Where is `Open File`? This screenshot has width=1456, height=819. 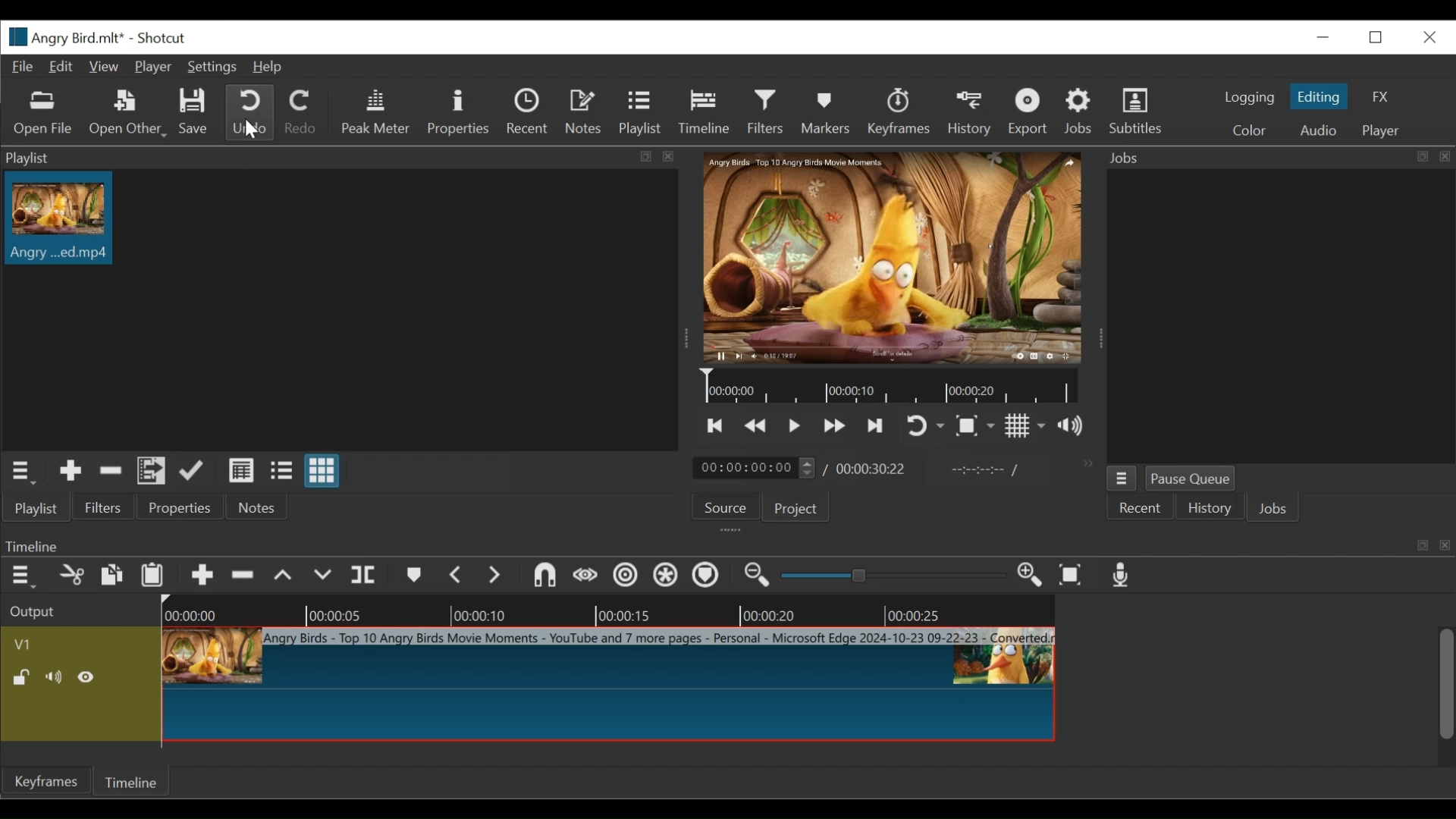 Open File is located at coordinates (39, 112).